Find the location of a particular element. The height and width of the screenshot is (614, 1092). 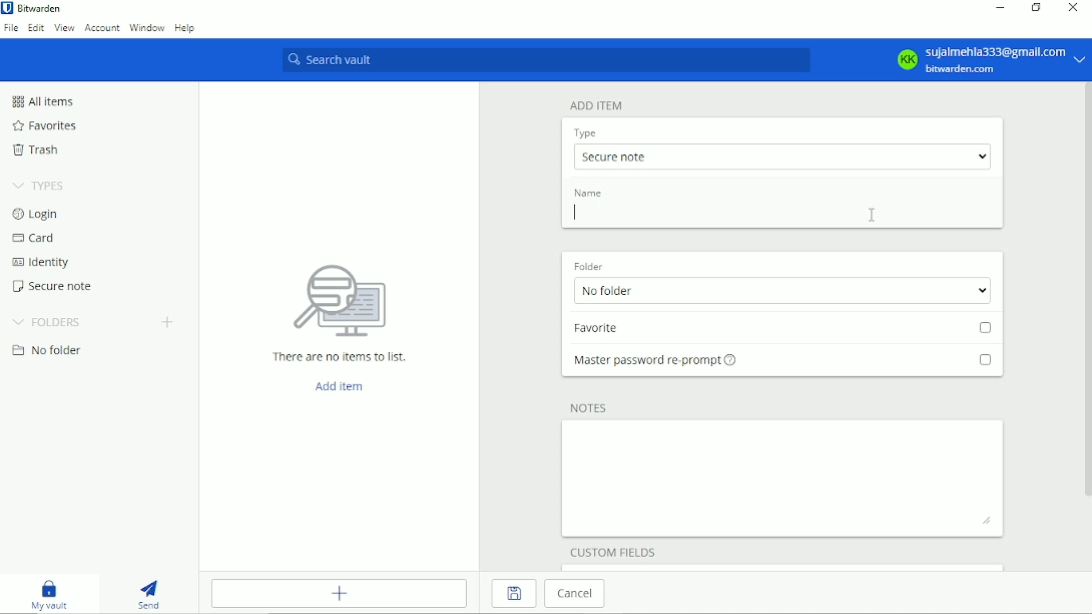

KK sujalmehla333@gmail.com    bitwarden.com is located at coordinates (989, 60).